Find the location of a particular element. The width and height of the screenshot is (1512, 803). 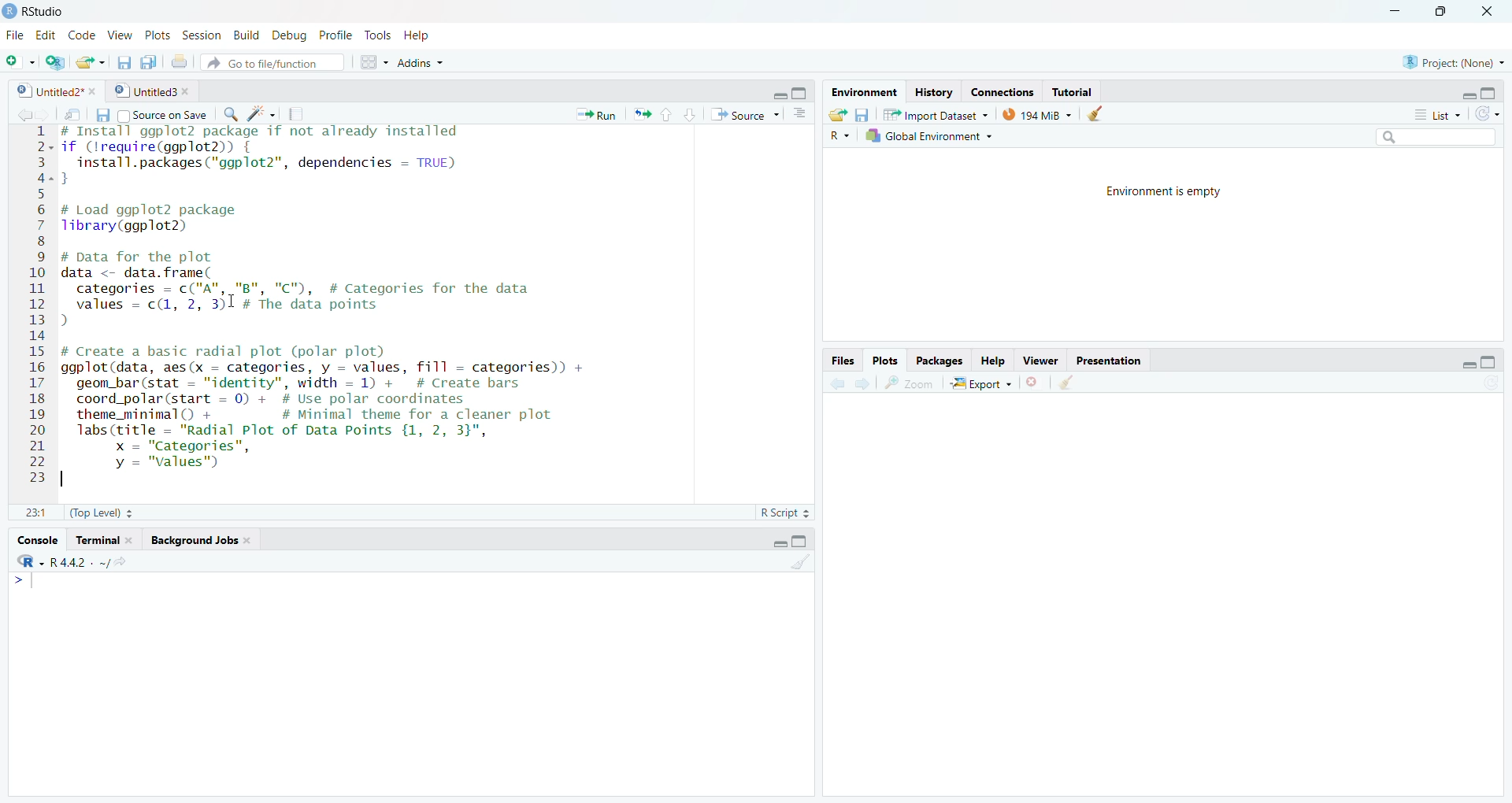

down is located at coordinates (690, 113).